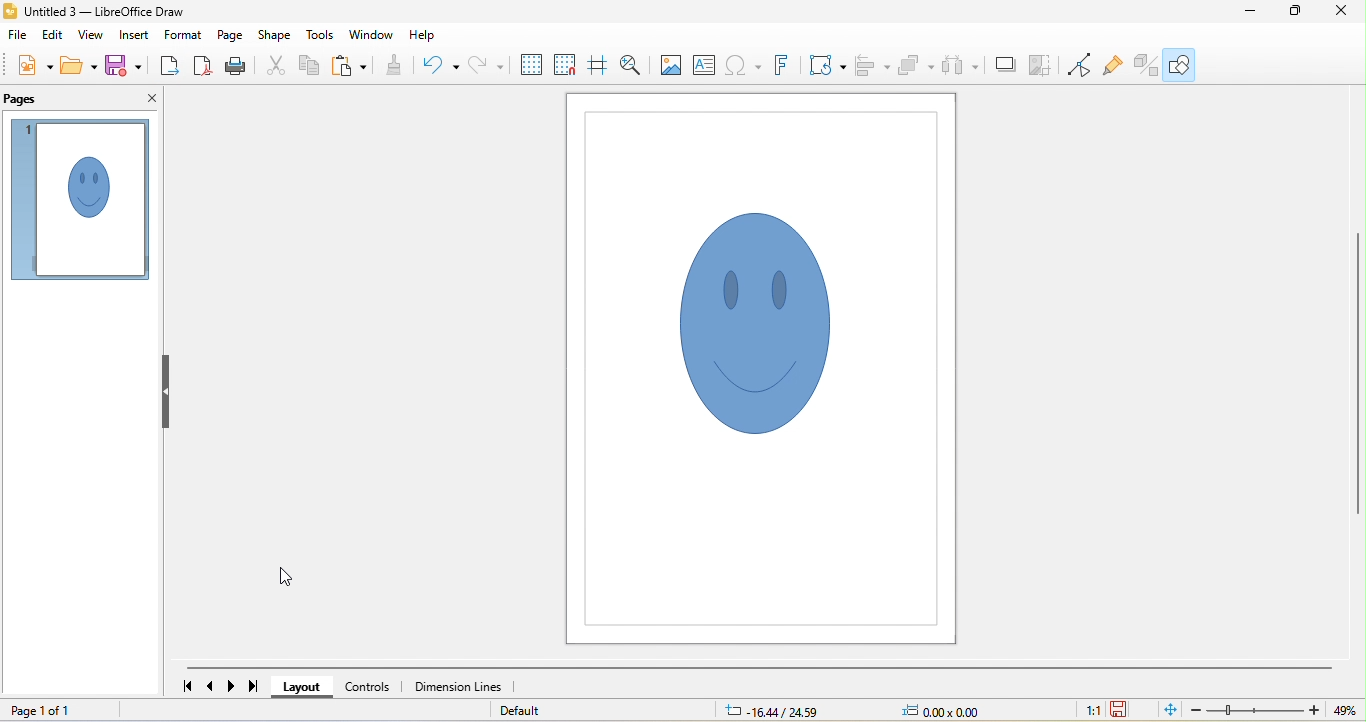 The image size is (1366, 722). I want to click on redo, so click(486, 64).